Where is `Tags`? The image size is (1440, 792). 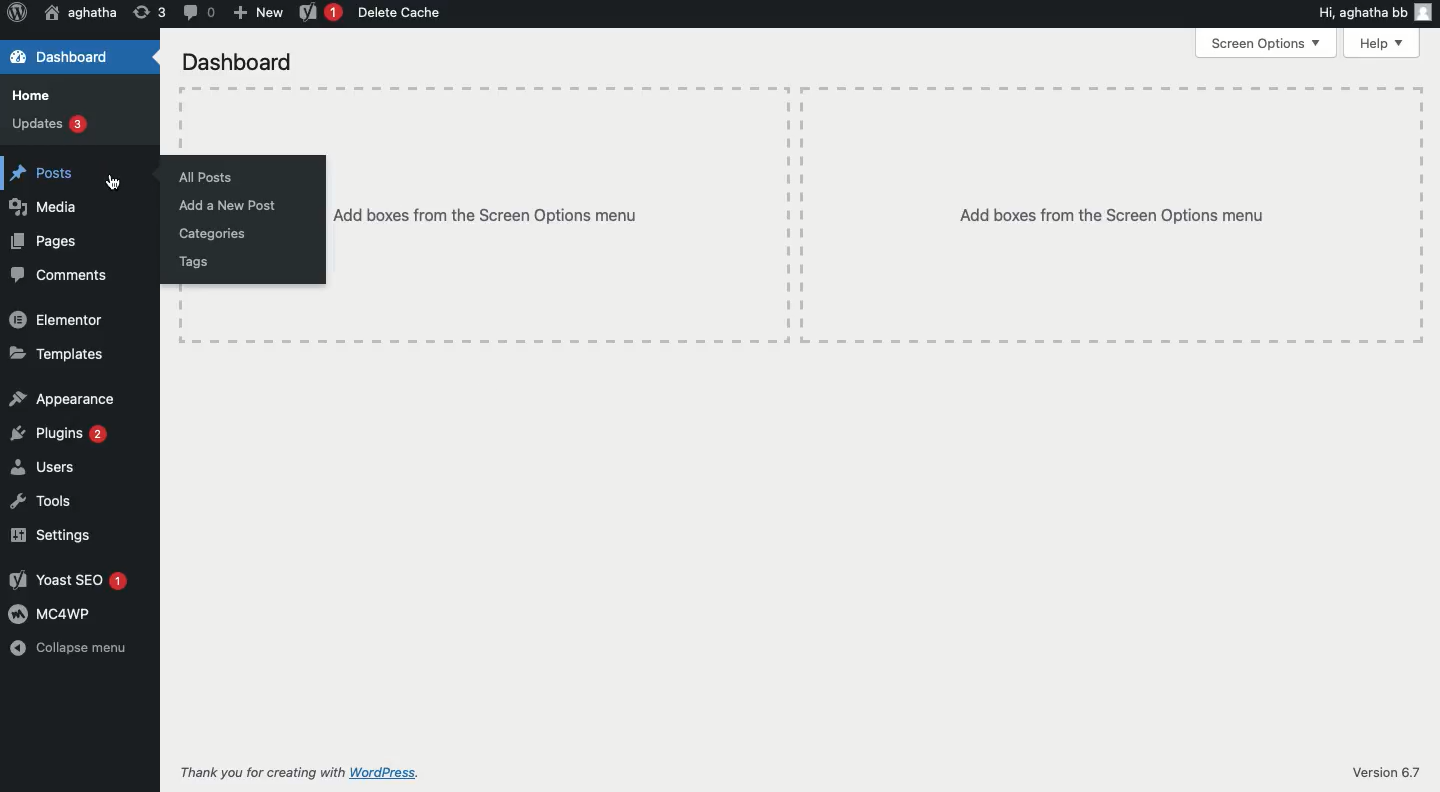 Tags is located at coordinates (194, 264).